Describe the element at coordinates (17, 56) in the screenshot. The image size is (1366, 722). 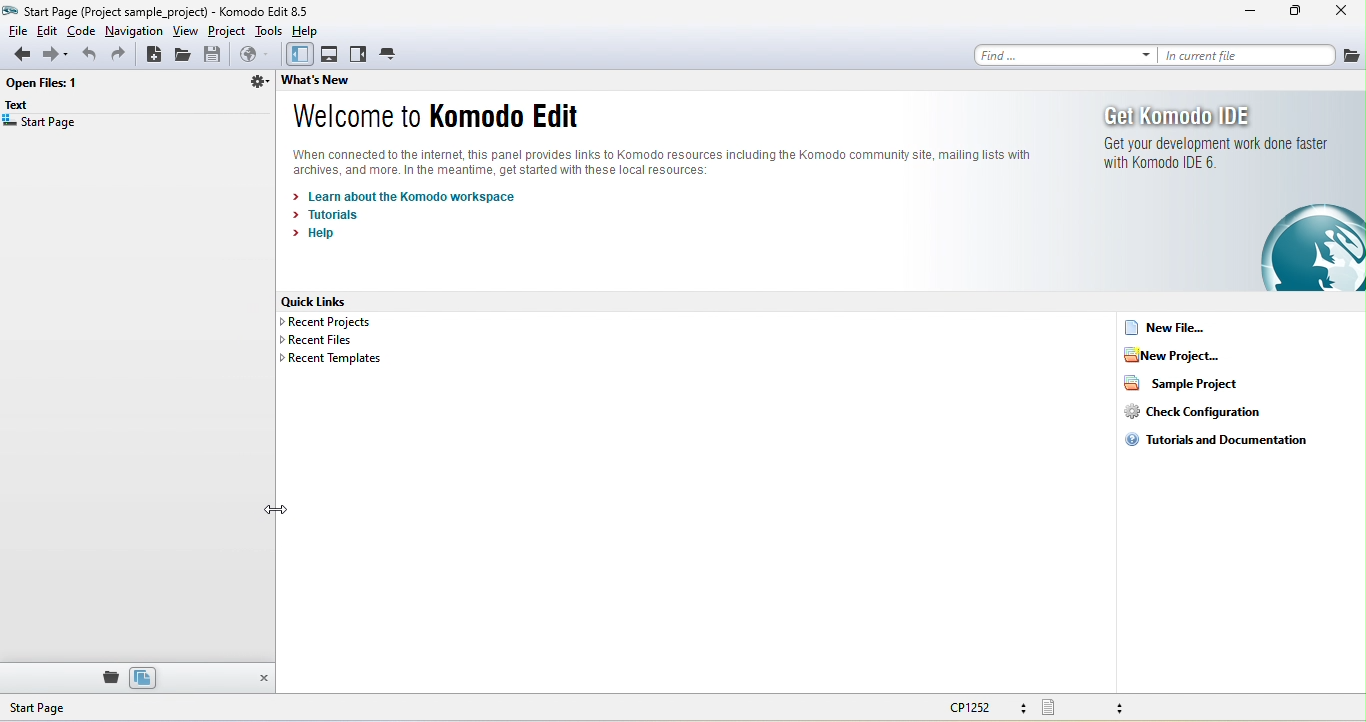
I see `back` at that location.